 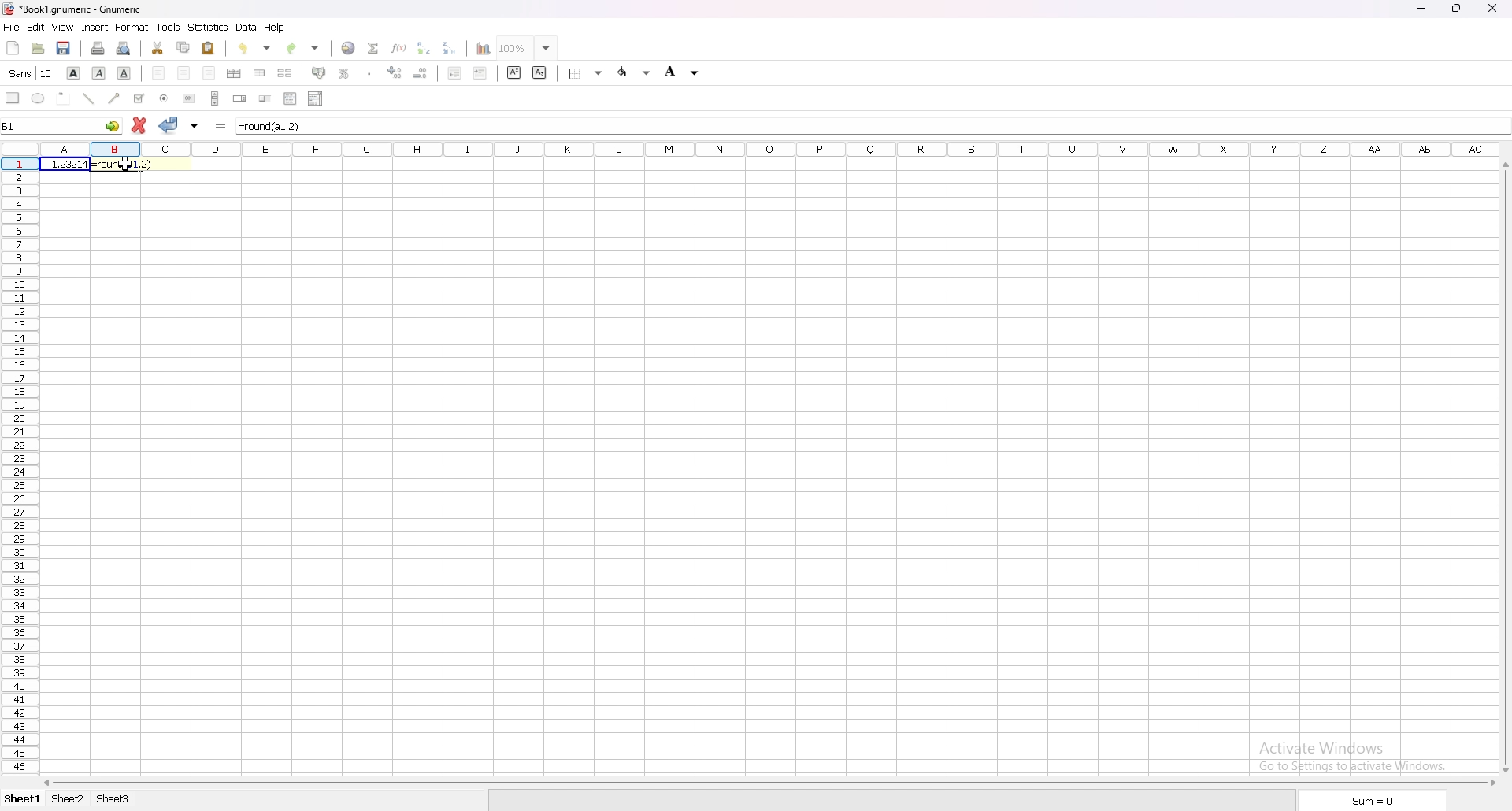 What do you see at coordinates (195, 125) in the screenshot?
I see `accept changes in all cells` at bounding box center [195, 125].